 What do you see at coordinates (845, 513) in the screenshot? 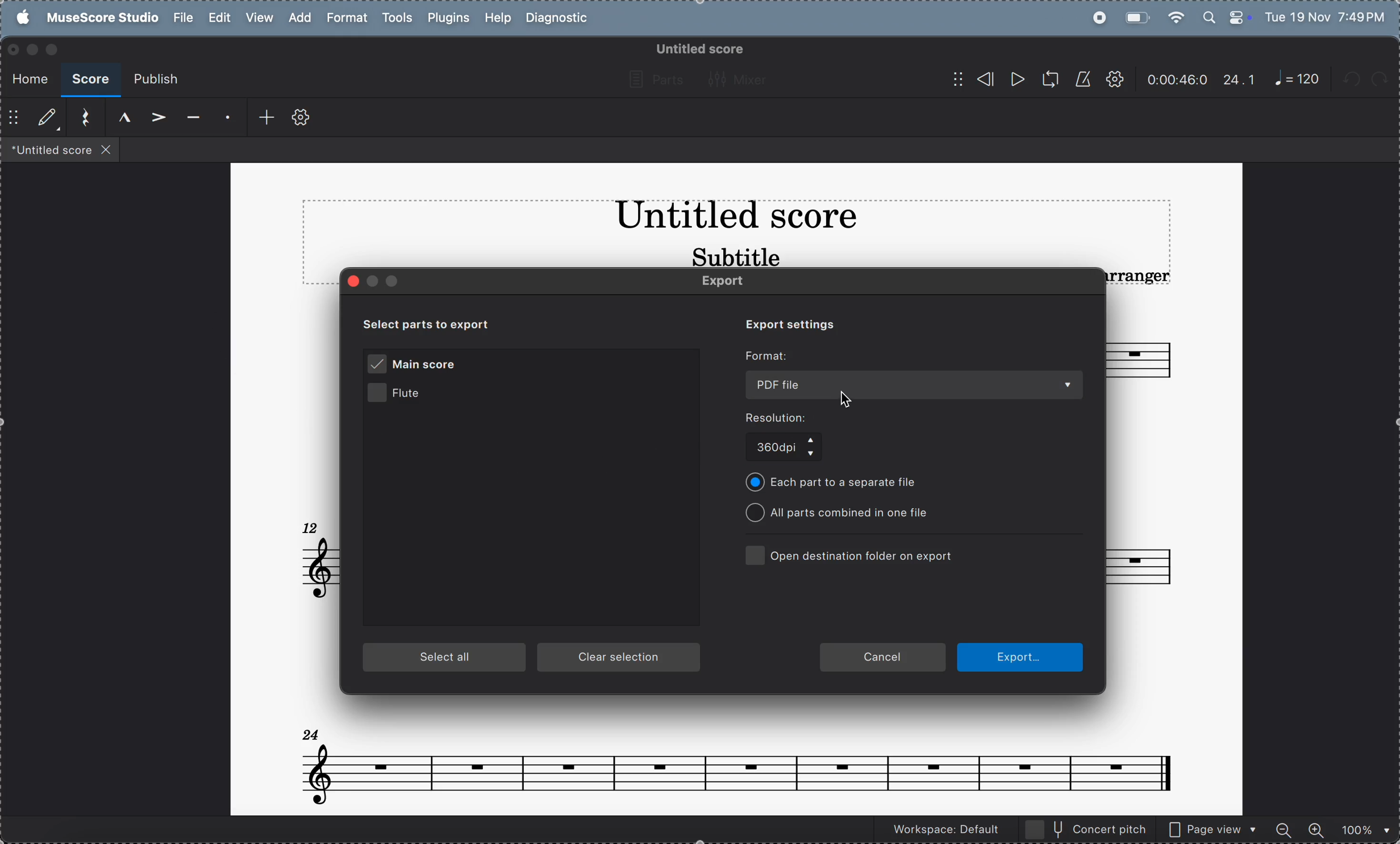
I see `all combined in one file` at bounding box center [845, 513].